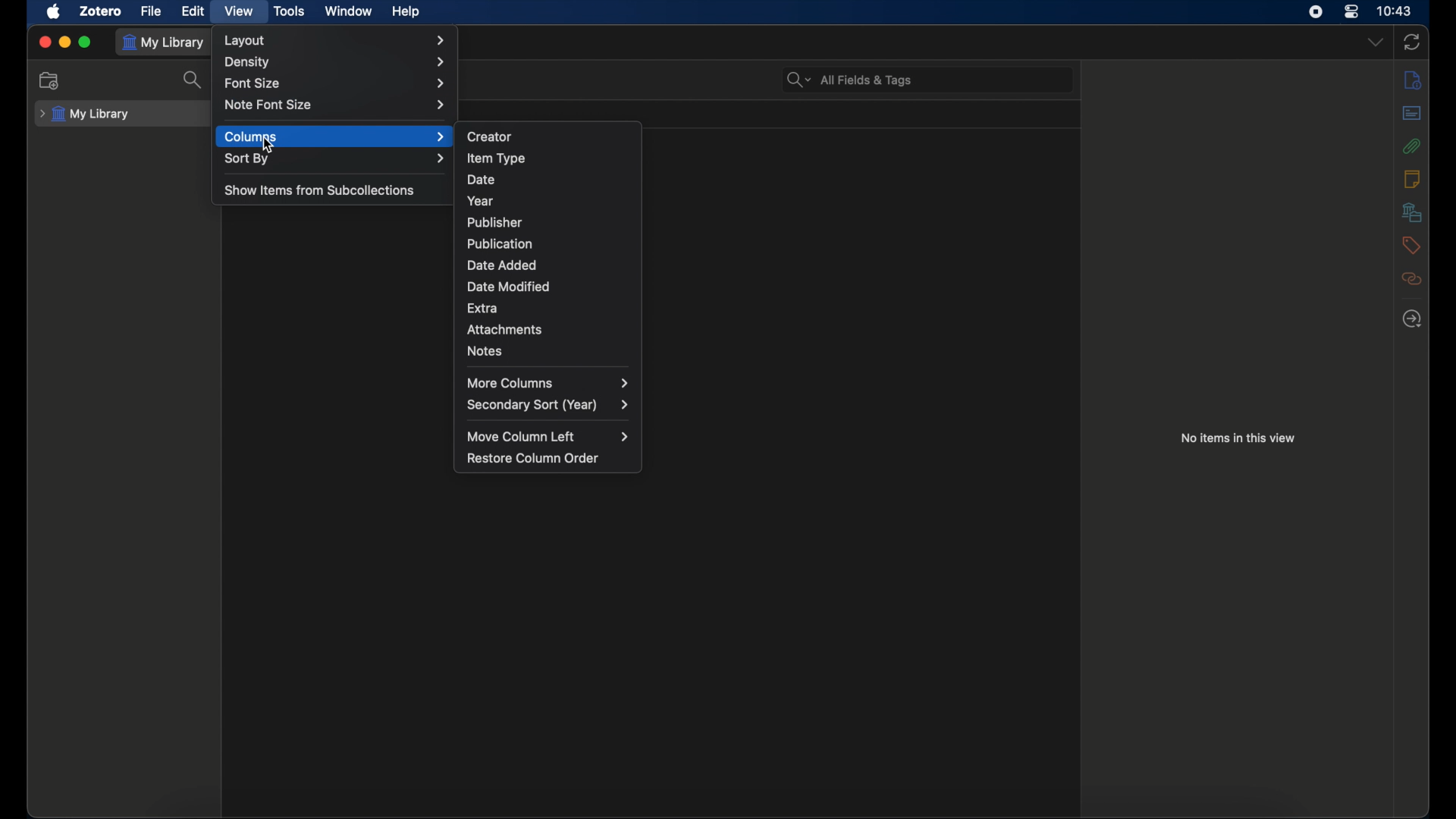  I want to click on layout, so click(335, 40).